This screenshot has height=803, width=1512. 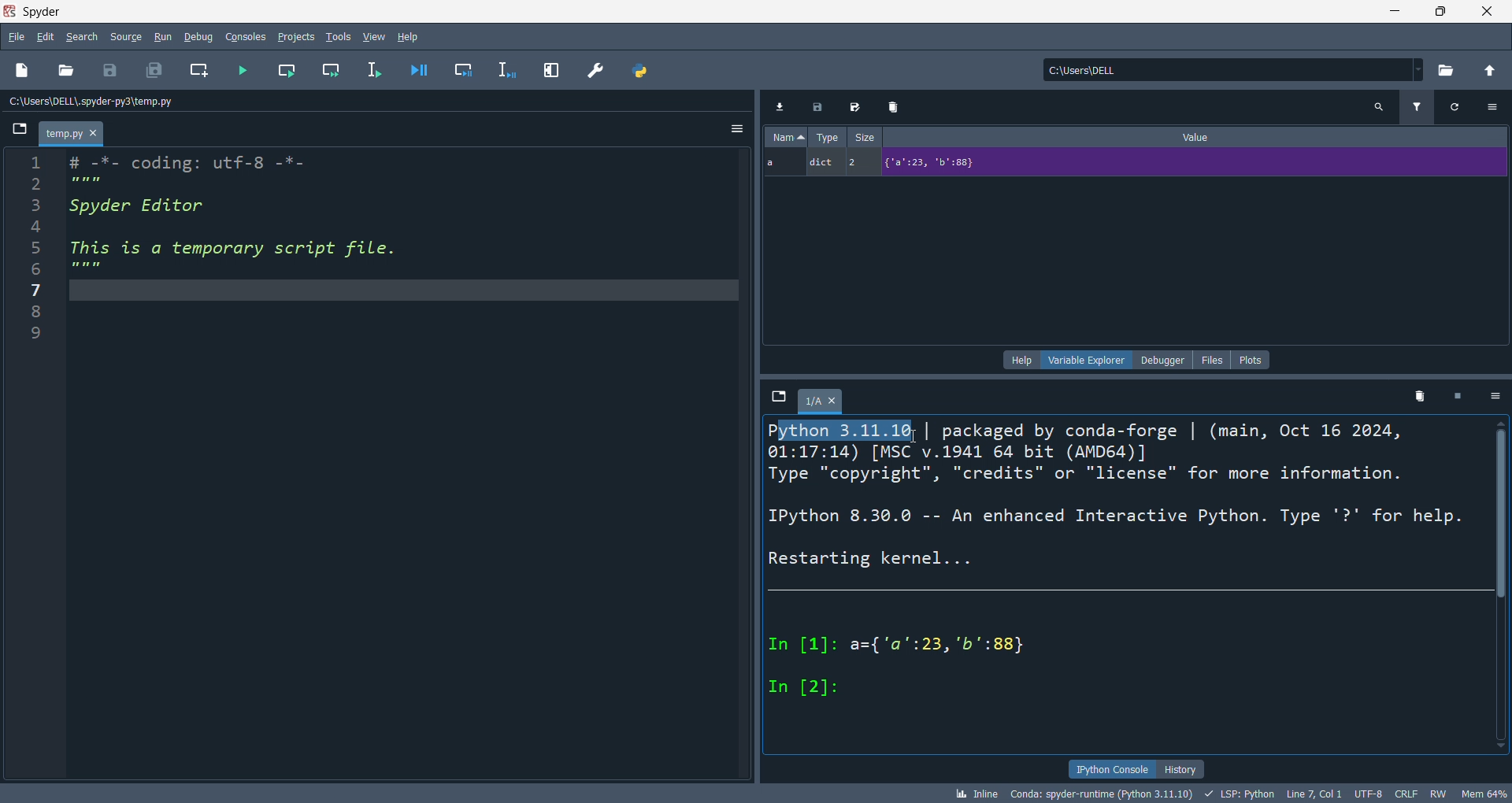 What do you see at coordinates (201, 35) in the screenshot?
I see `debug` at bounding box center [201, 35].